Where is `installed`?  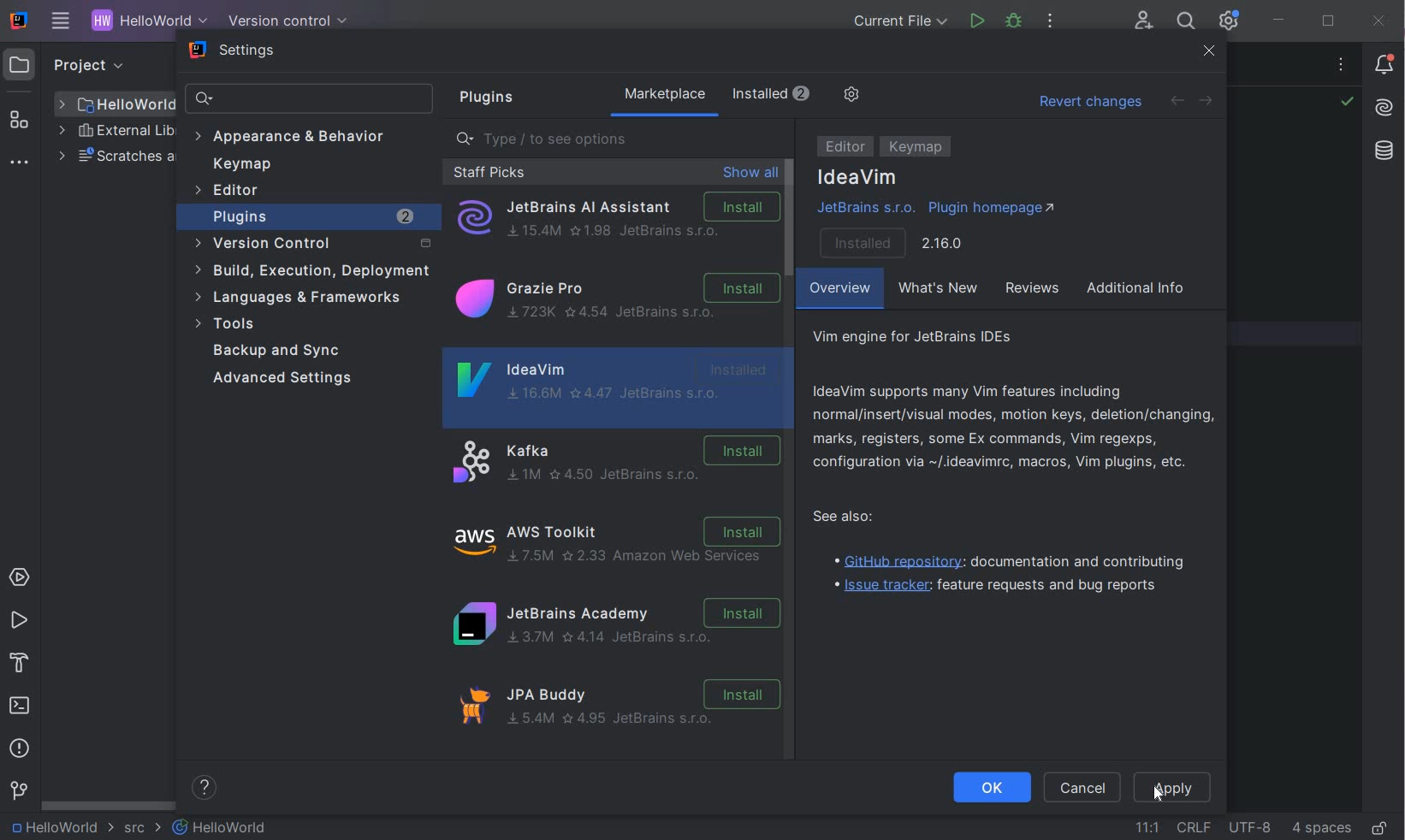
installed is located at coordinates (833, 93).